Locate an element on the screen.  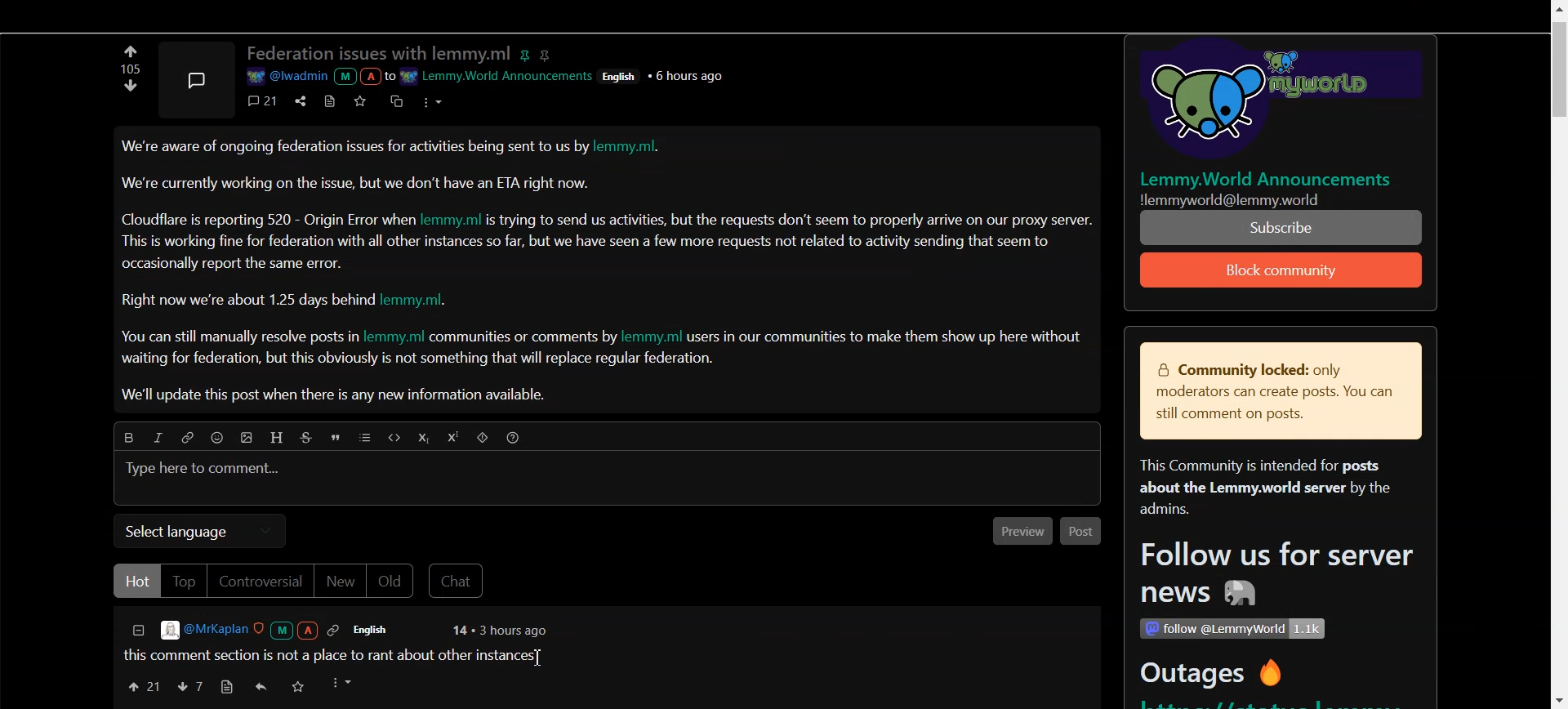
Hyperlink is located at coordinates (187, 438).